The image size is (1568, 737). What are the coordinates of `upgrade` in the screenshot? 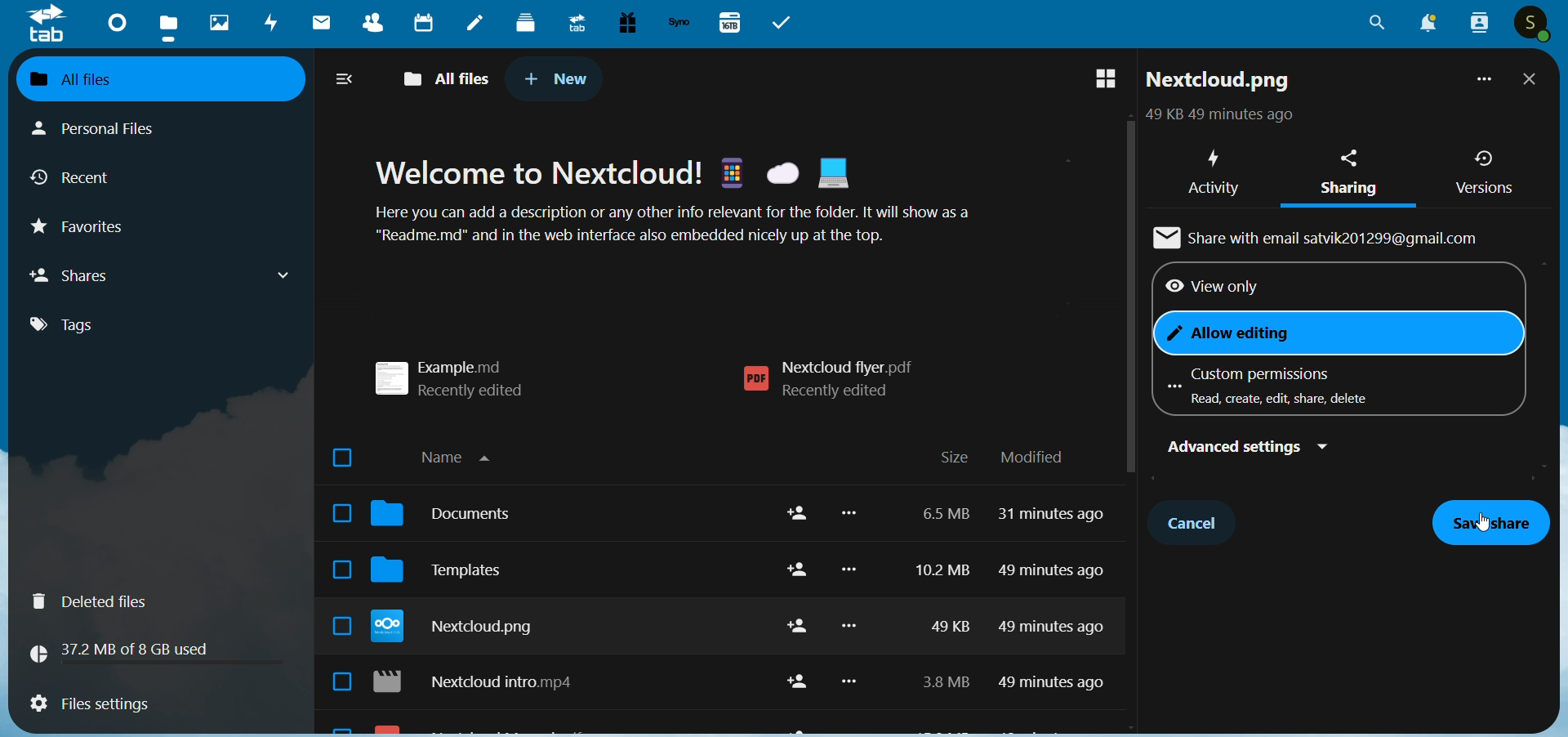 It's located at (574, 22).